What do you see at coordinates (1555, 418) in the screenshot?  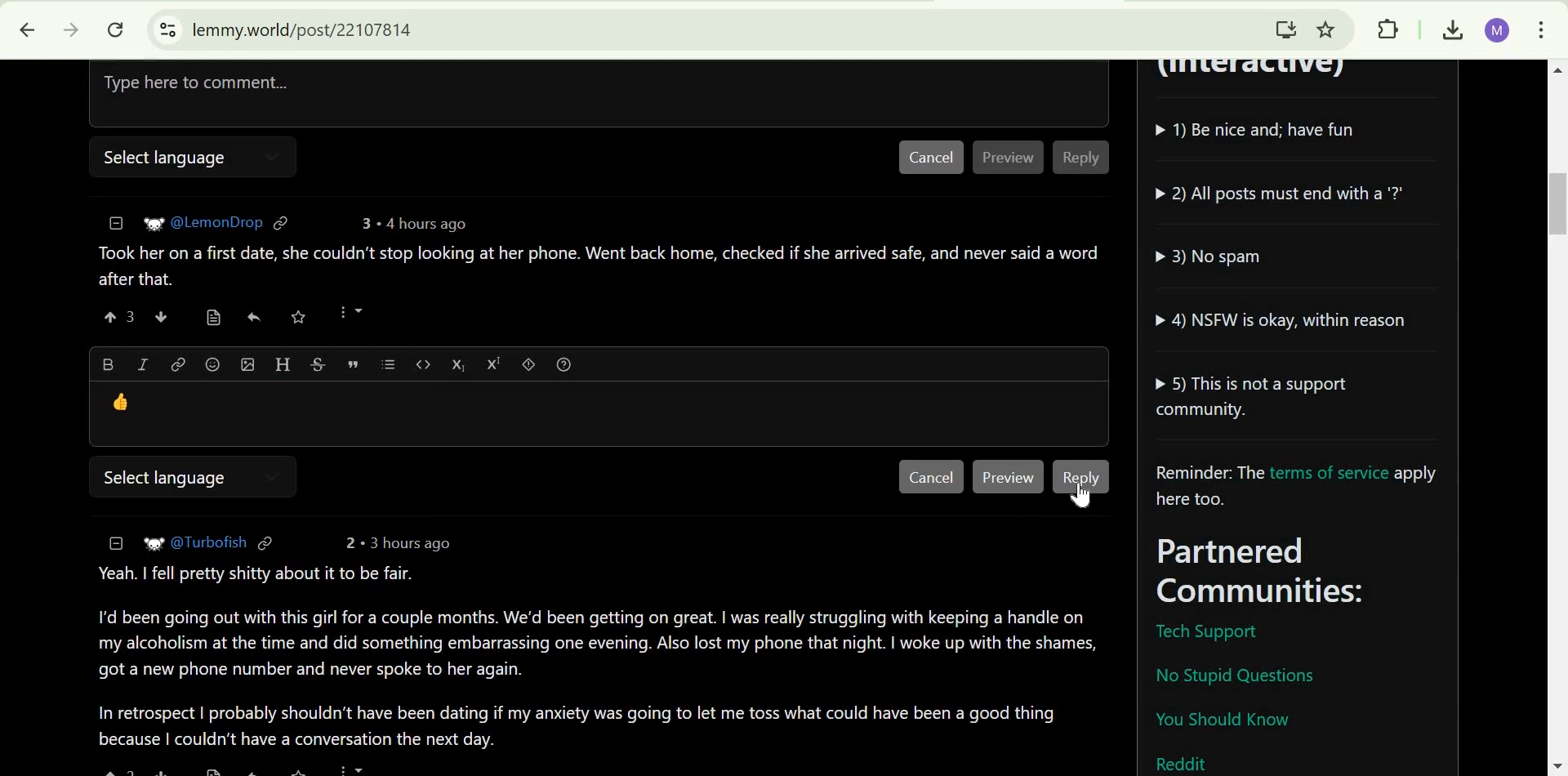 I see `scrollbar` at bounding box center [1555, 418].